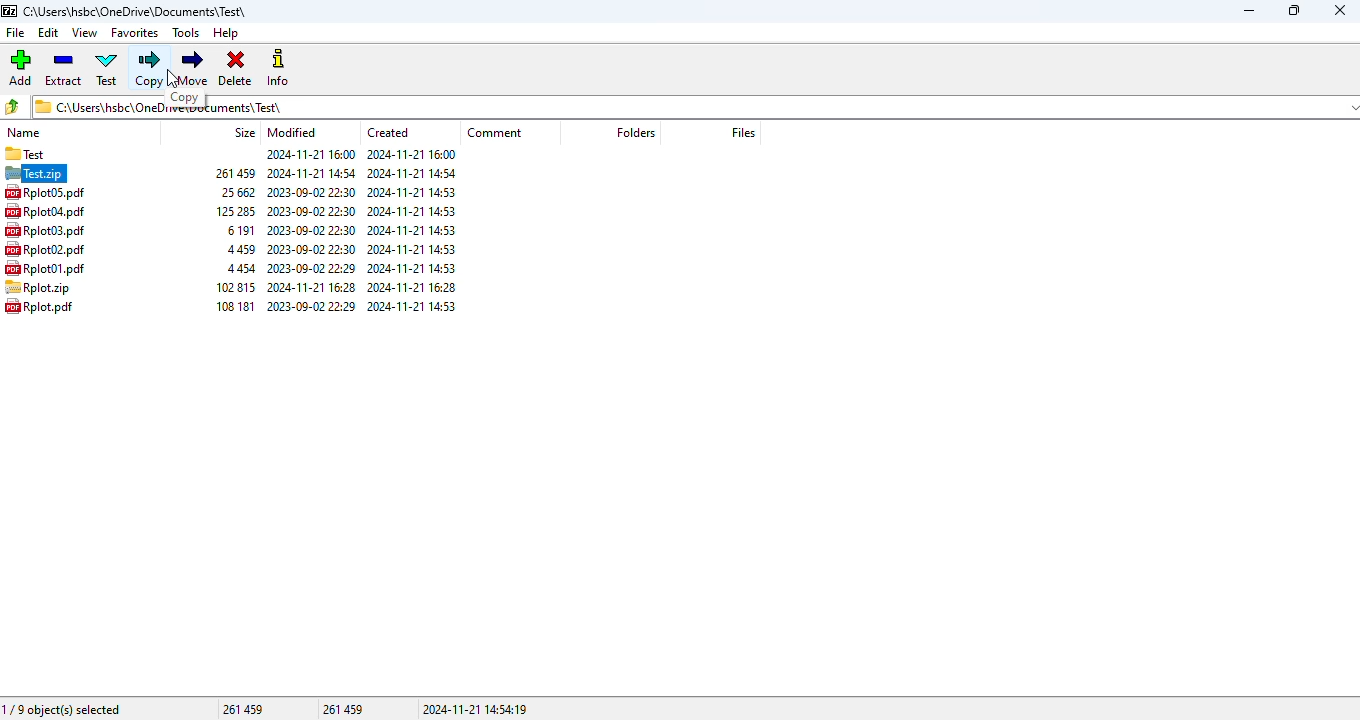  Describe the element at coordinates (412, 286) in the screenshot. I see `created date & time` at that location.